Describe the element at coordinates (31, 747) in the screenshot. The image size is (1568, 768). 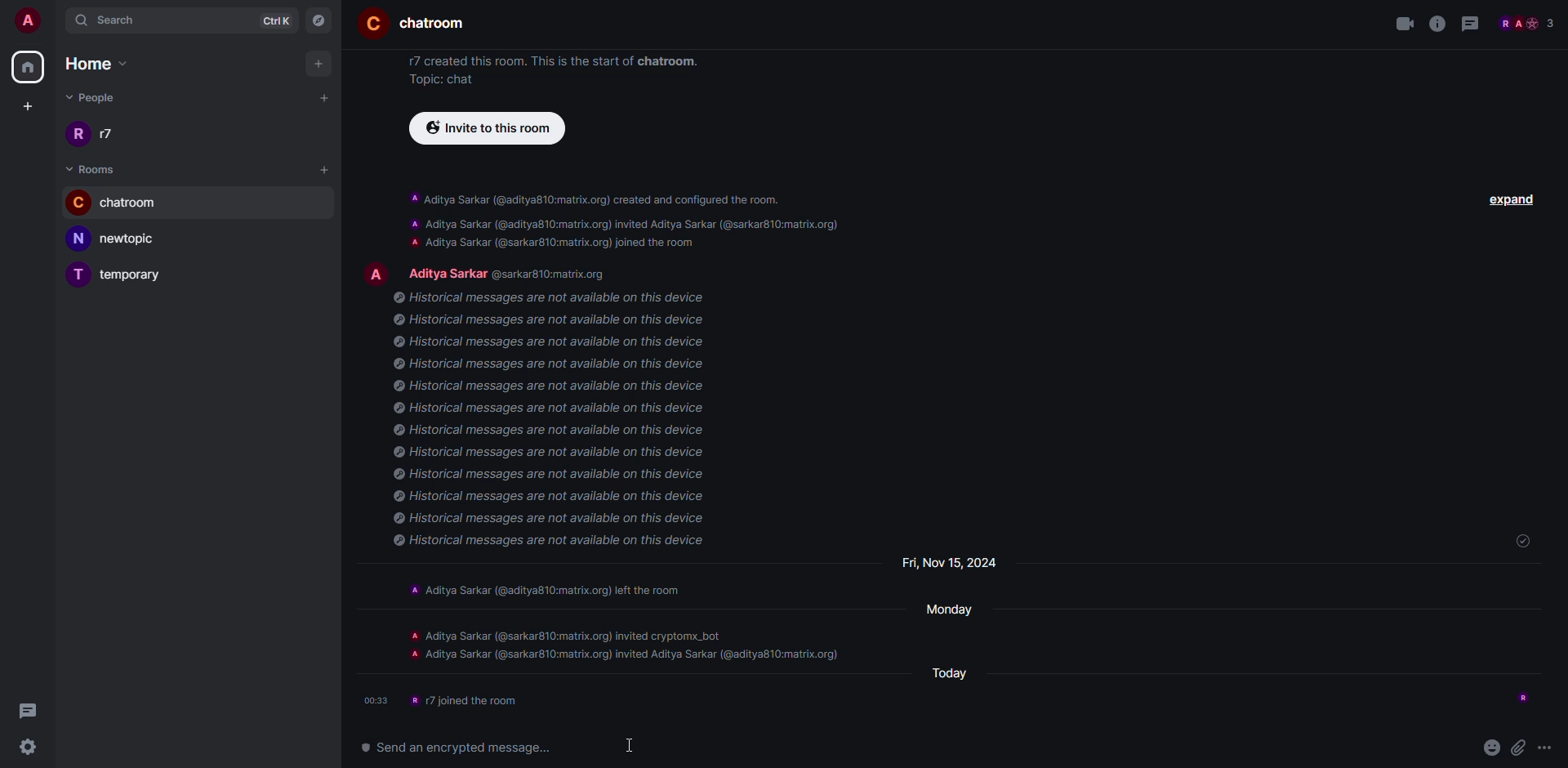
I see `settings` at that location.